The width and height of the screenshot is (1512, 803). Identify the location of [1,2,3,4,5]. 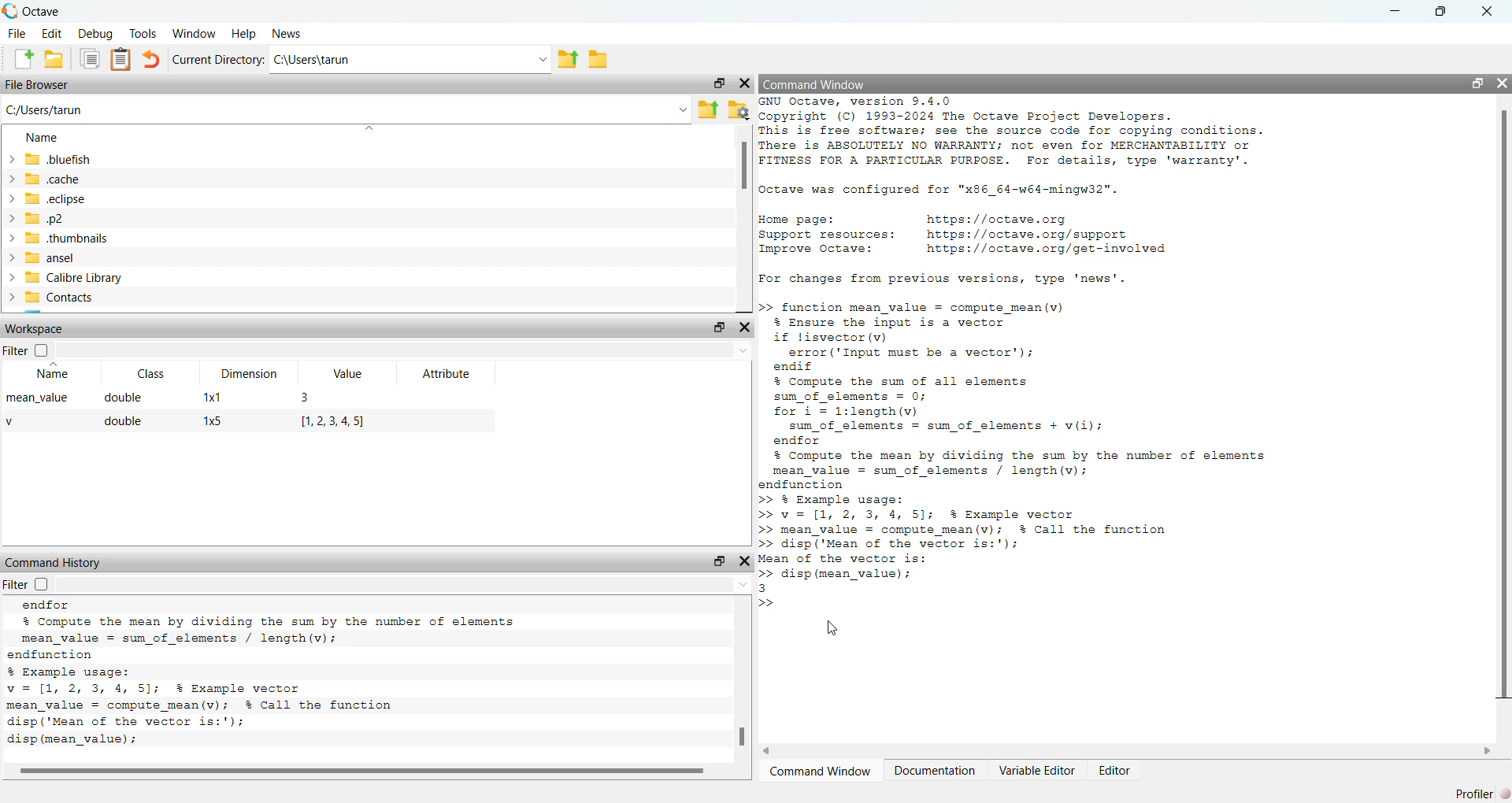
(335, 422).